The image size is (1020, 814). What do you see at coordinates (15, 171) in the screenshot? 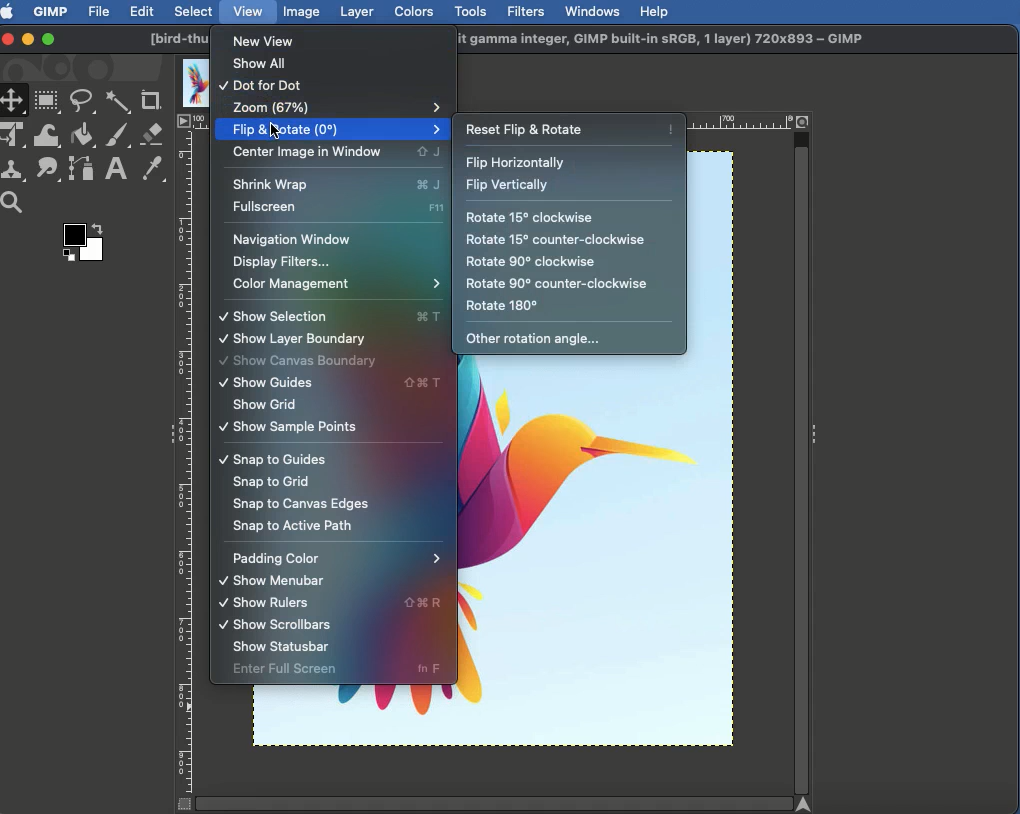
I see `Clone tool` at bounding box center [15, 171].